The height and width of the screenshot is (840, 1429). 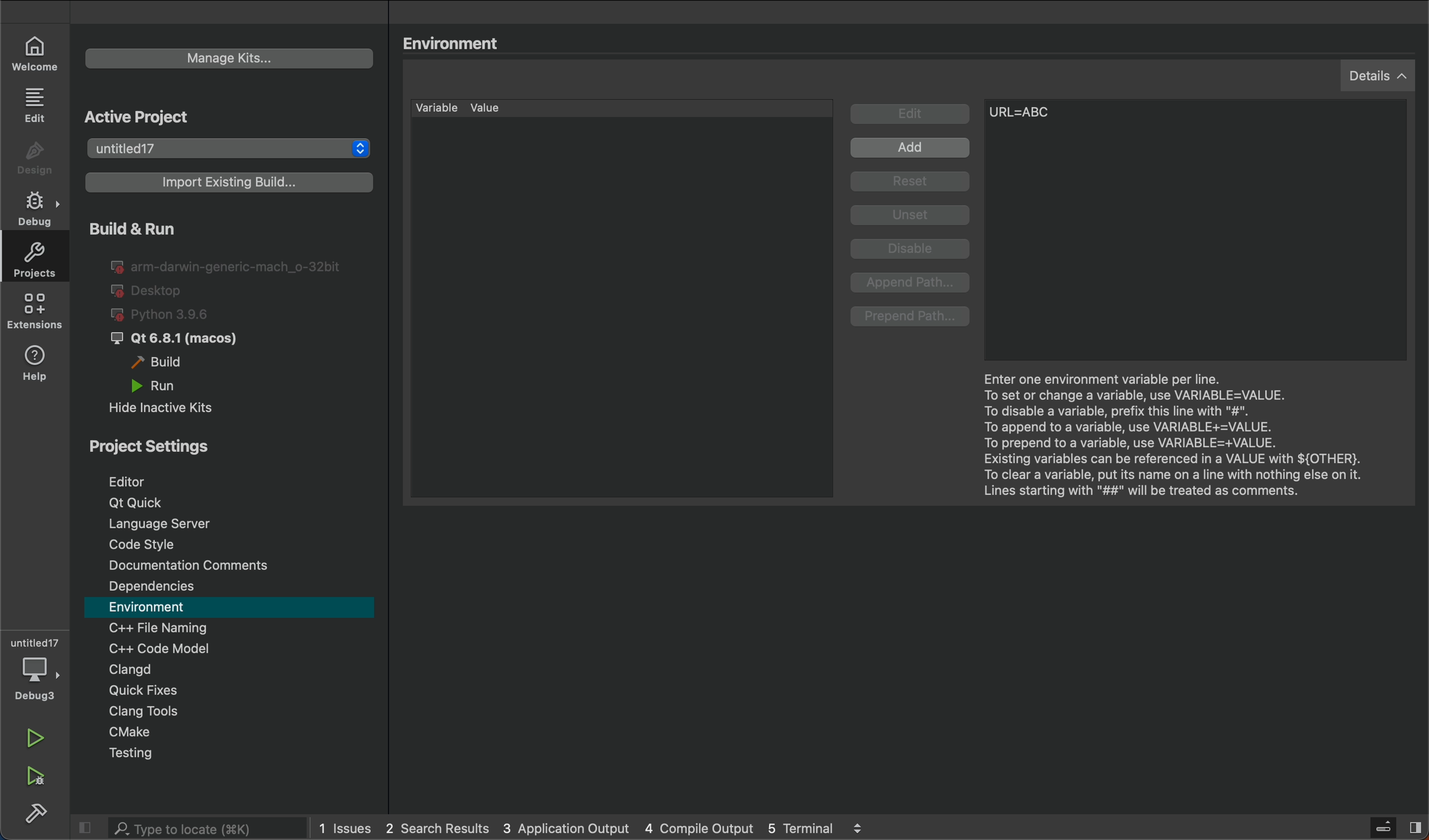 What do you see at coordinates (1034, 118) in the screenshot?
I see `after typing` at bounding box center [1034, 118].